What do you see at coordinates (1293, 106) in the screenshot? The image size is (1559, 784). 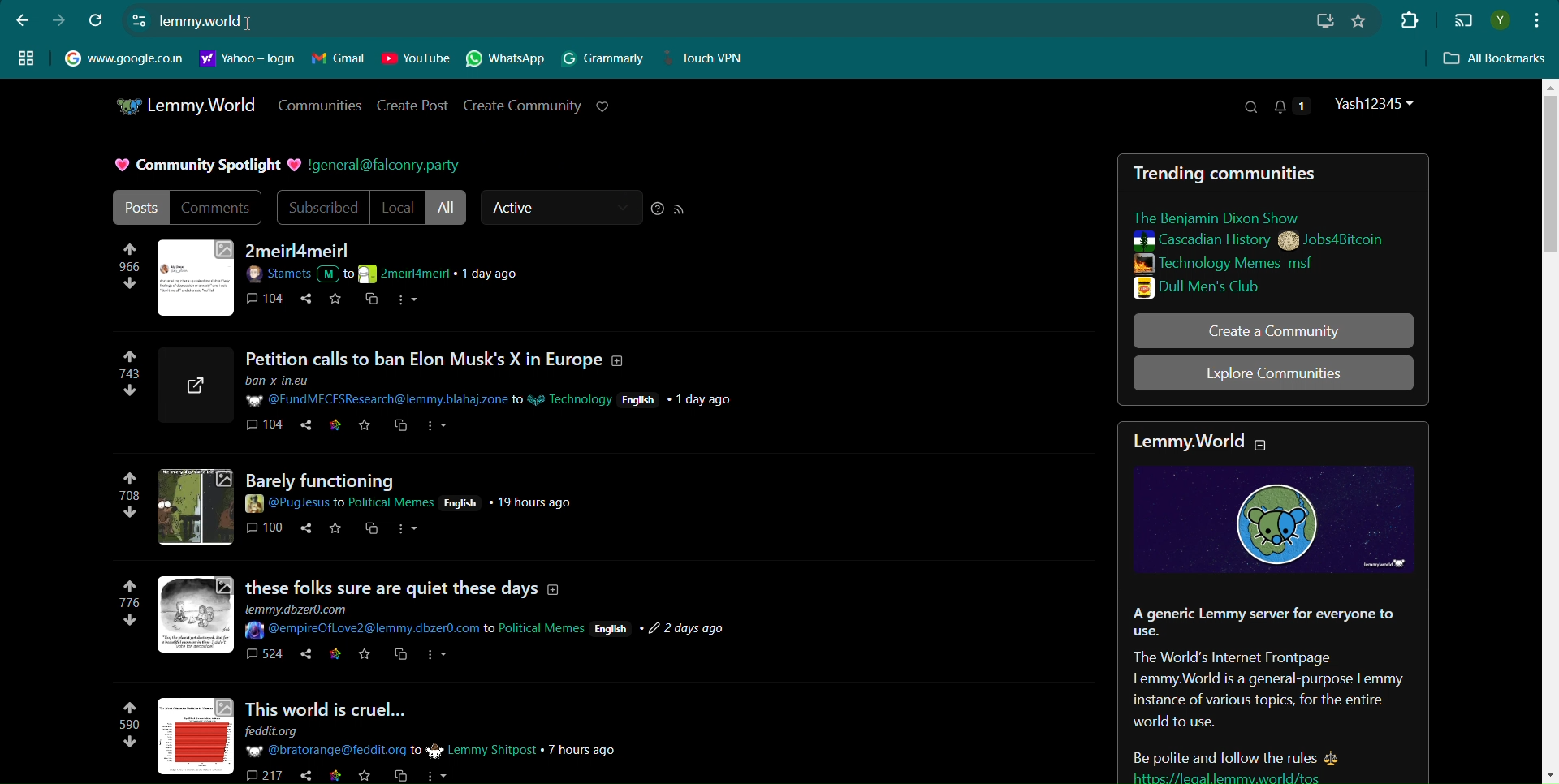 I see `Unread Messages` at bounding box center [1293, 106].